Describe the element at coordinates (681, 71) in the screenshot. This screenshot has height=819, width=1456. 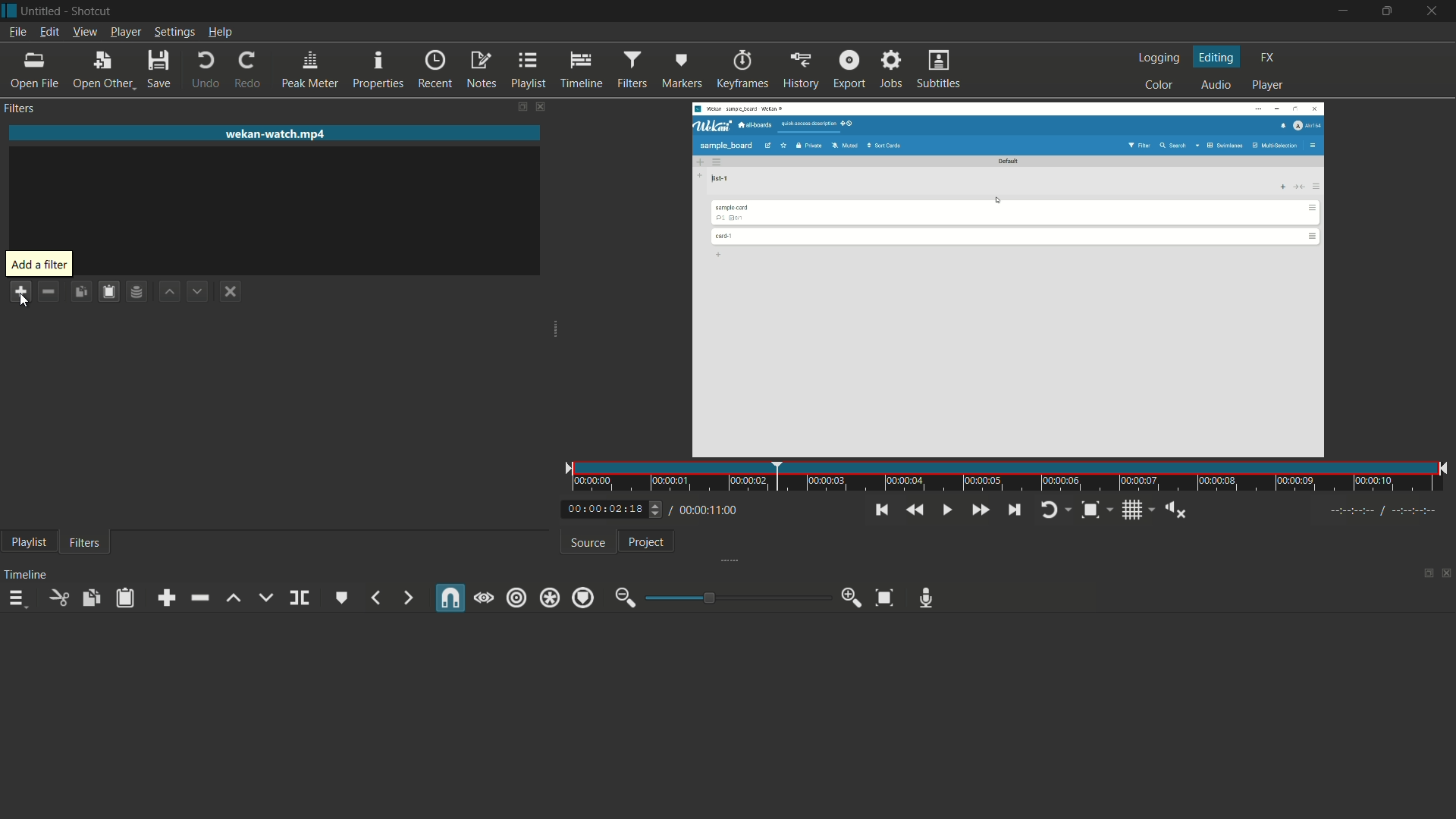
I see `markers` at that location.